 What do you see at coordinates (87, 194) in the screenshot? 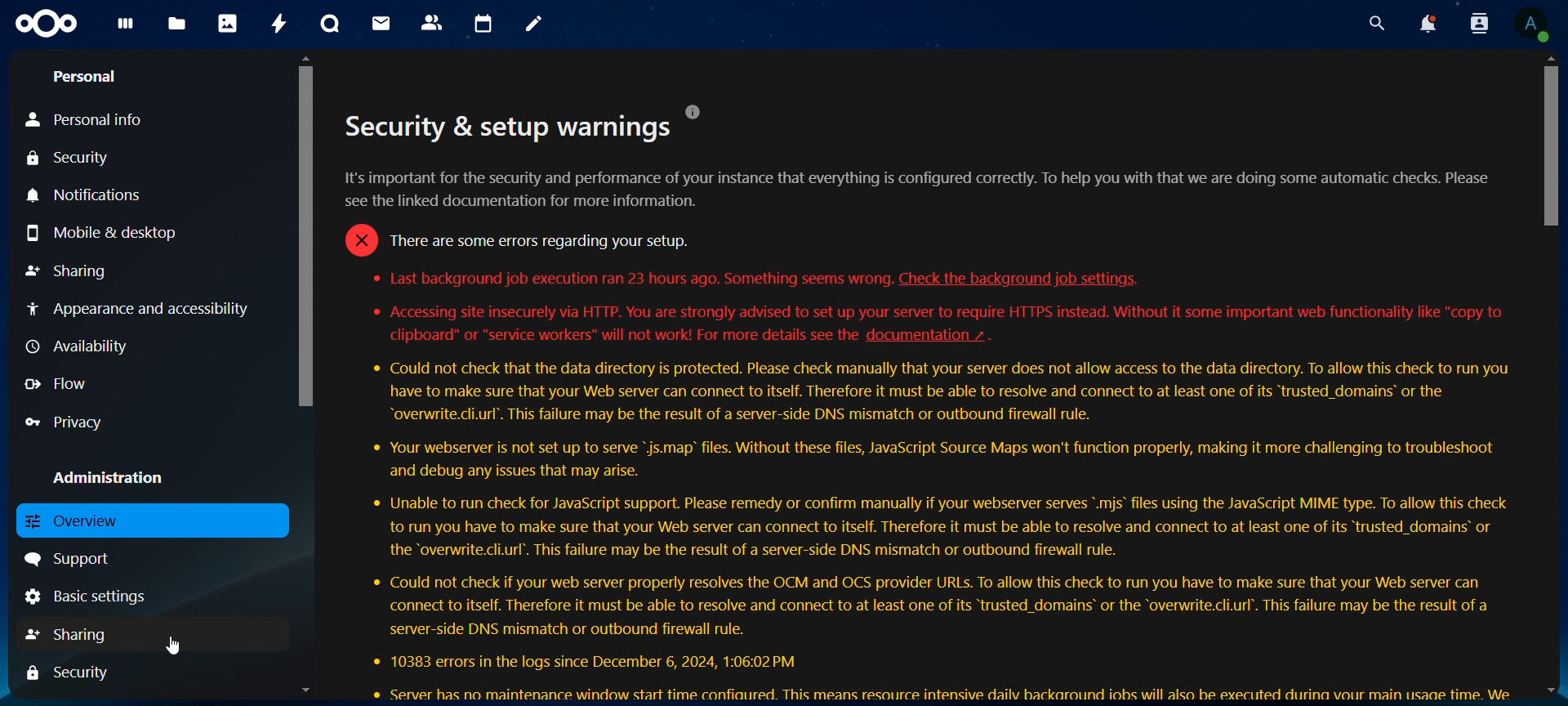
I see `notiifications` at bounding box center [87, 194].